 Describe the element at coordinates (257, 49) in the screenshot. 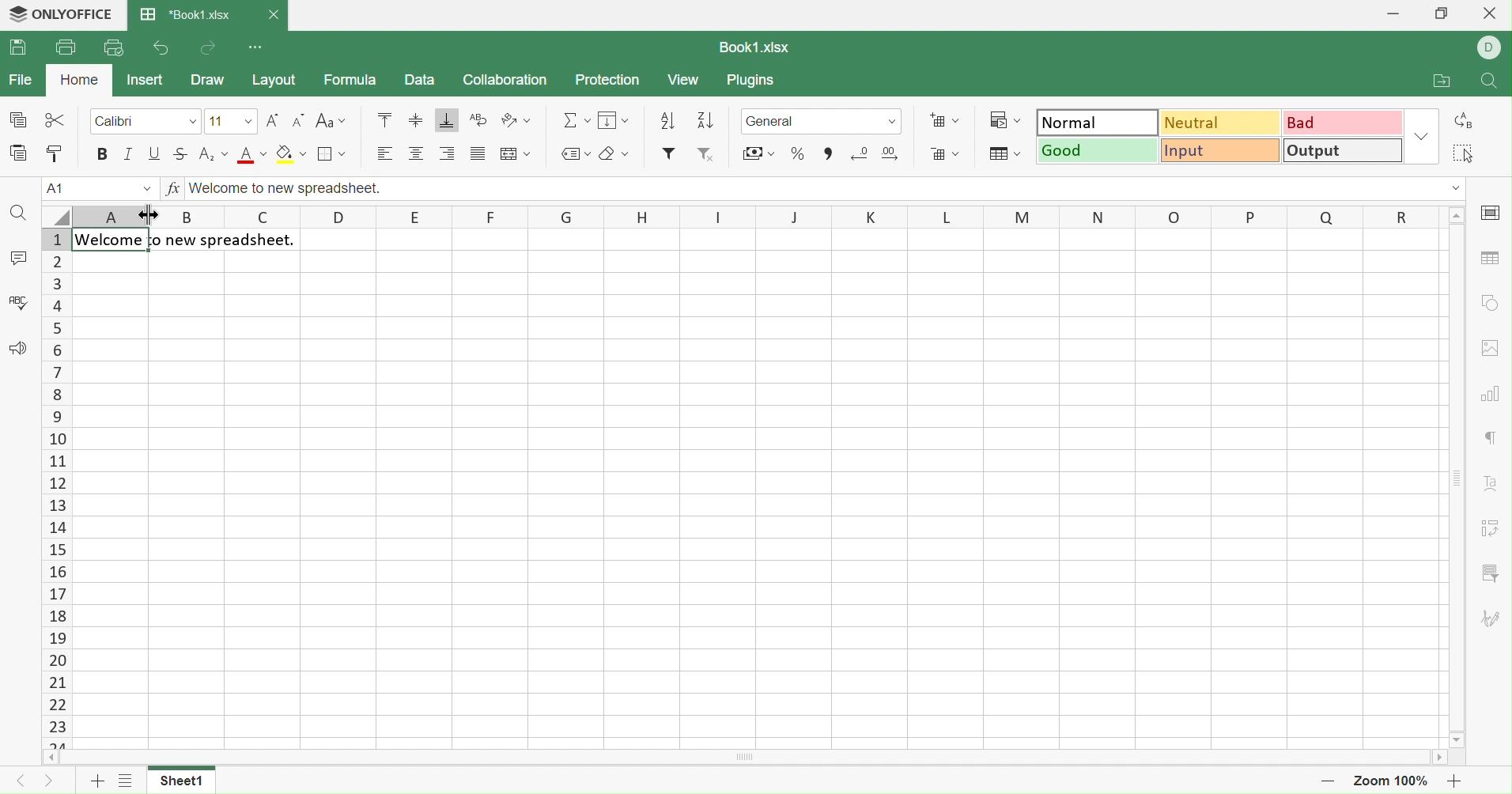

I see `Customize Quick Access Toolbar` at that location.